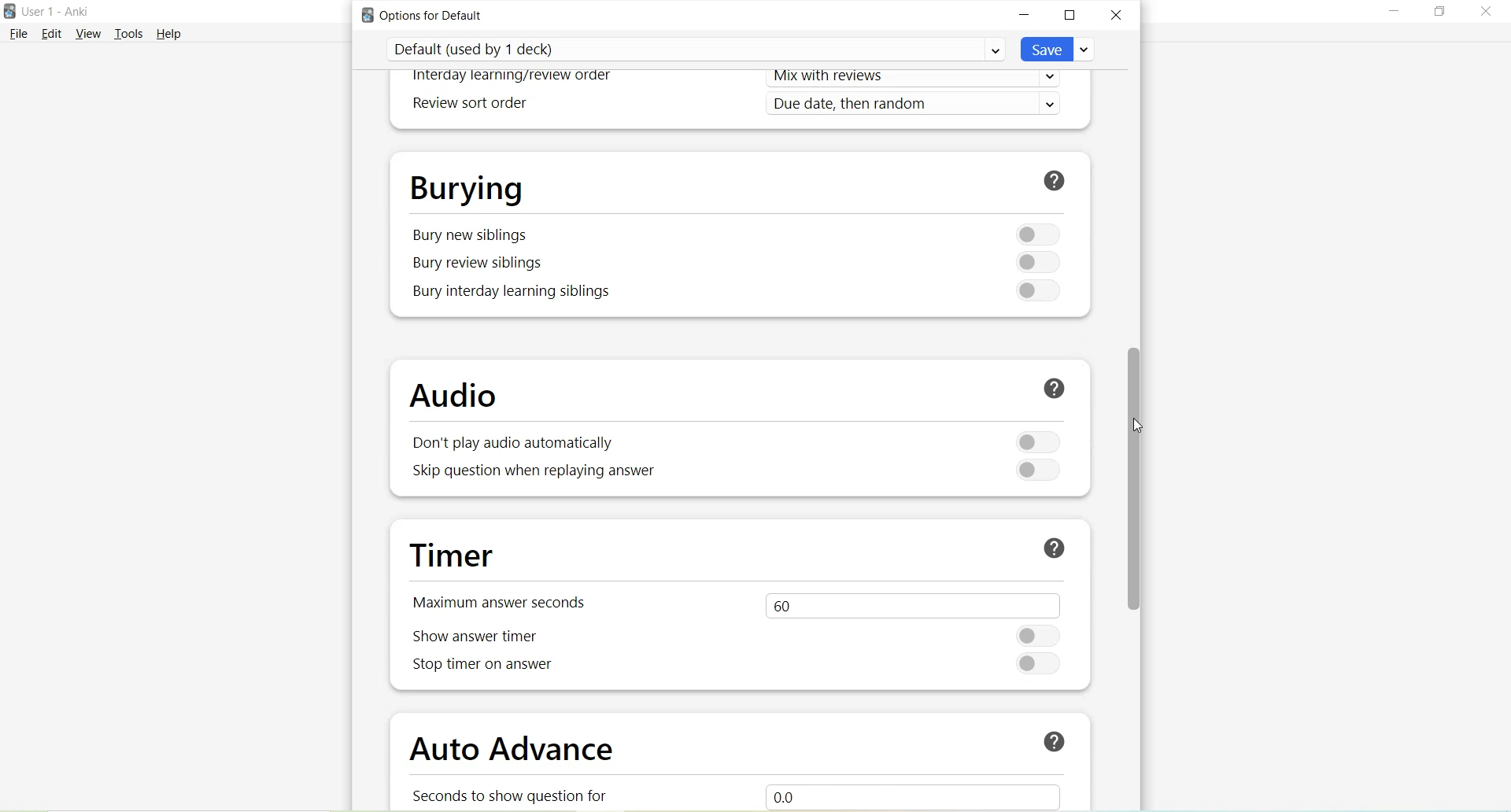 The height and width of the screenshot is (812, 1511). Describe the element at coordinates (696, 49) in the screenshot. I see `Default (used by 1 deck)` at that location.